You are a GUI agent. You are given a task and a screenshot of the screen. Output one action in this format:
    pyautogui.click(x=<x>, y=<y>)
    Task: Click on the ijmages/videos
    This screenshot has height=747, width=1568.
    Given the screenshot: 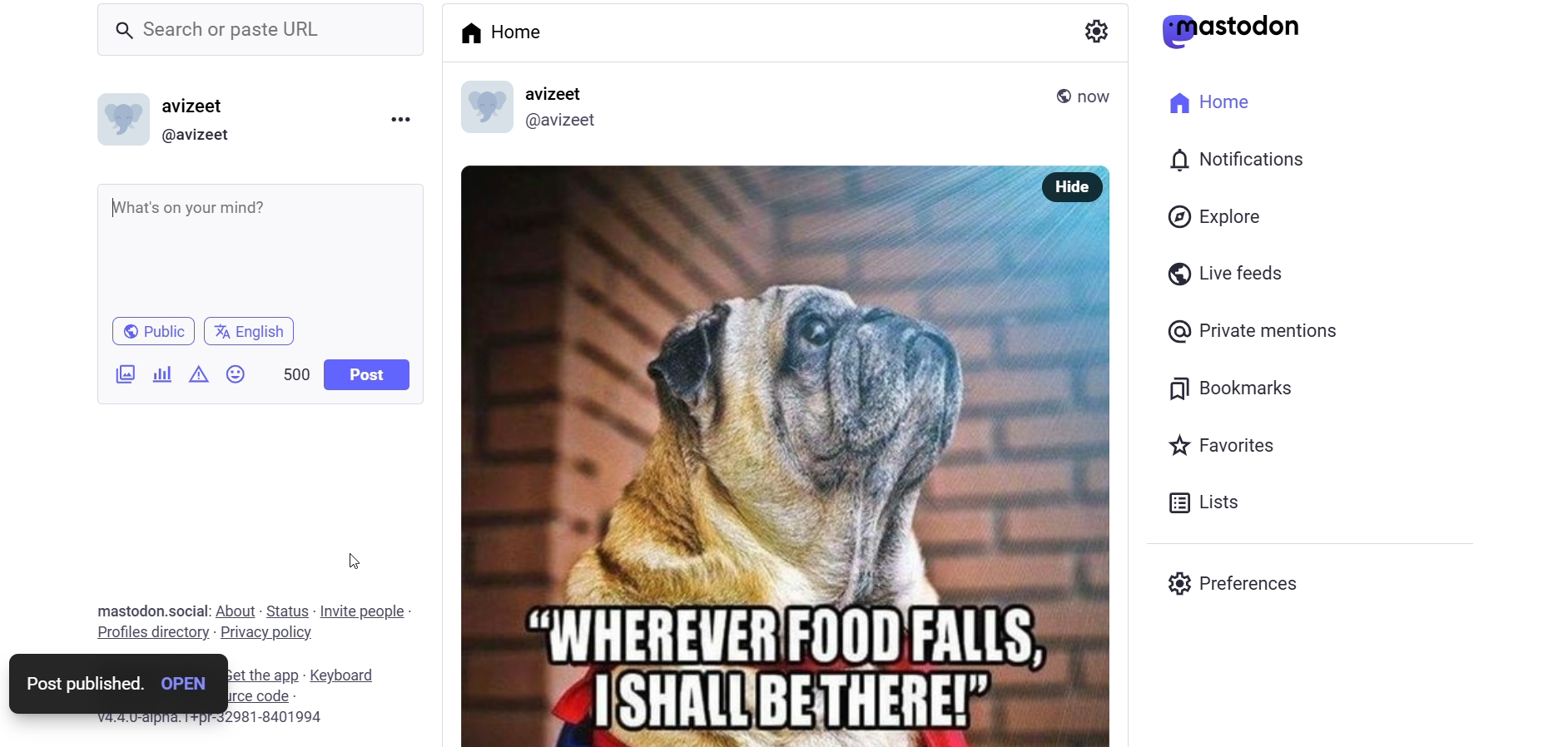 What is the action you would take?
    pyautogui.click(x=116, y=374)
    